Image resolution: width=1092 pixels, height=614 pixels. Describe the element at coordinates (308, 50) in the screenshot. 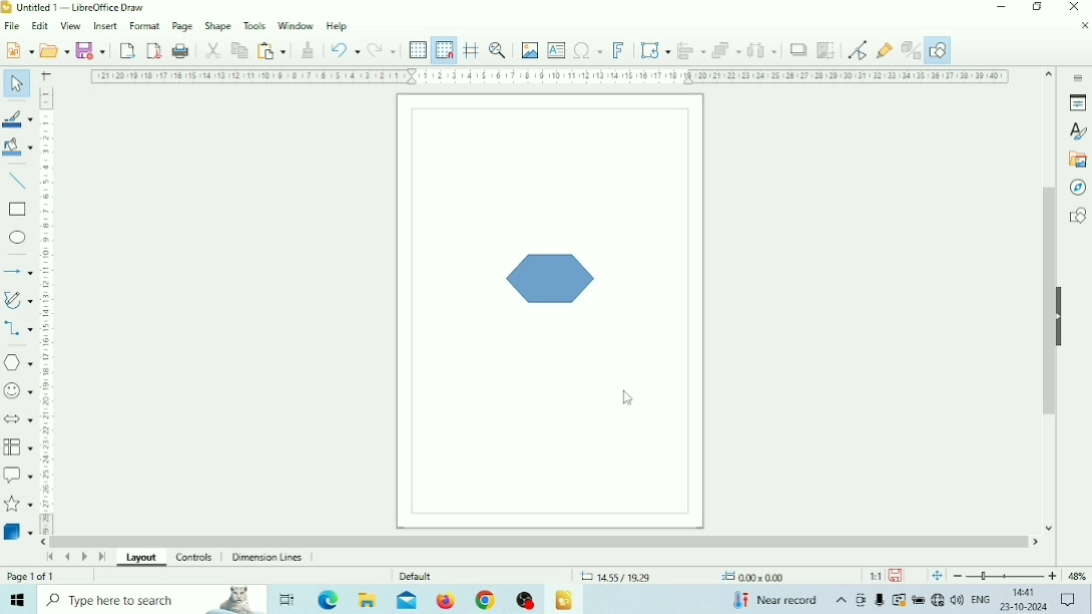

I see `Clone Formatting` at that location.